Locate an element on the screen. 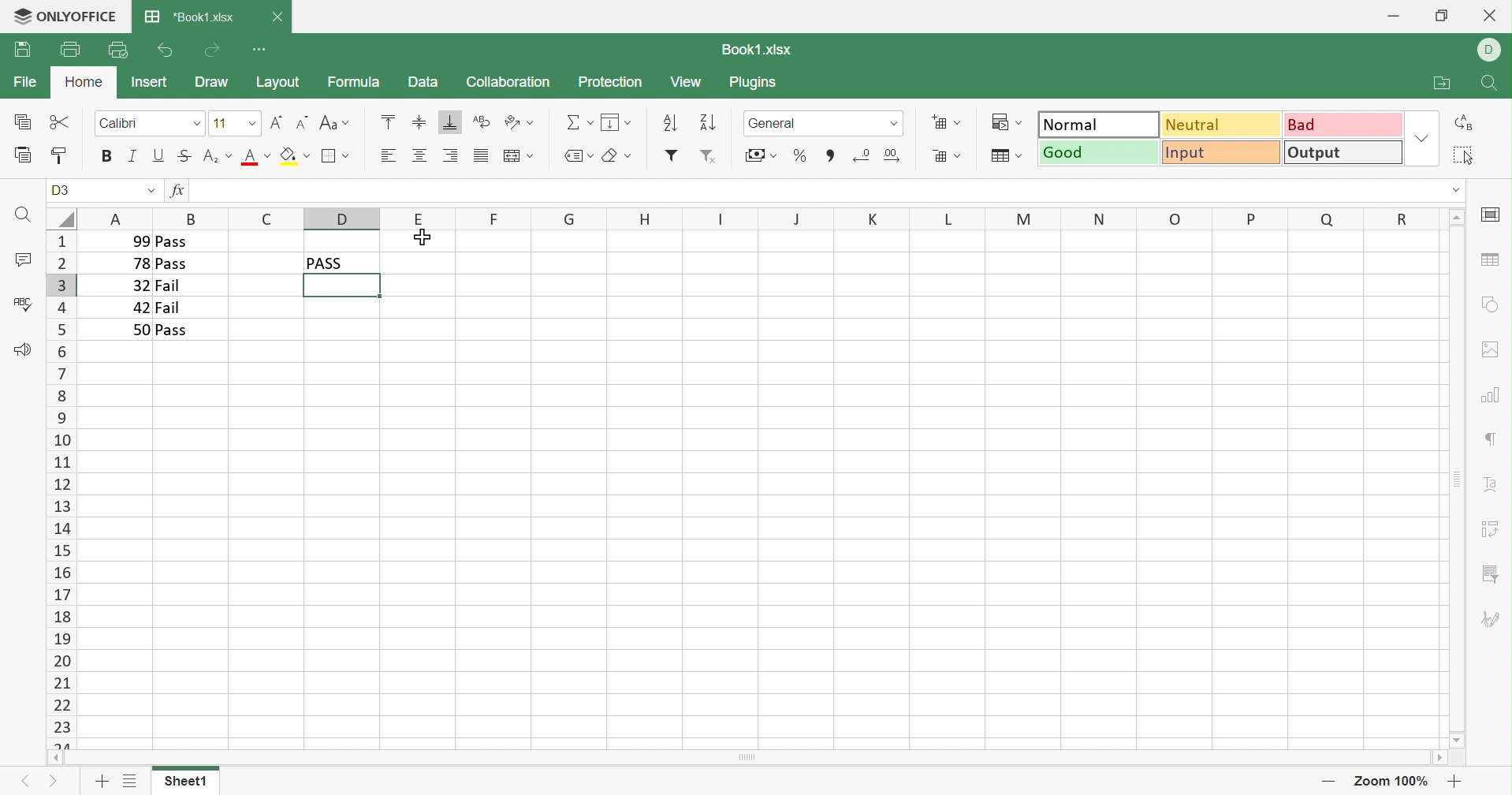  Find is located at coordinates (20, 215).